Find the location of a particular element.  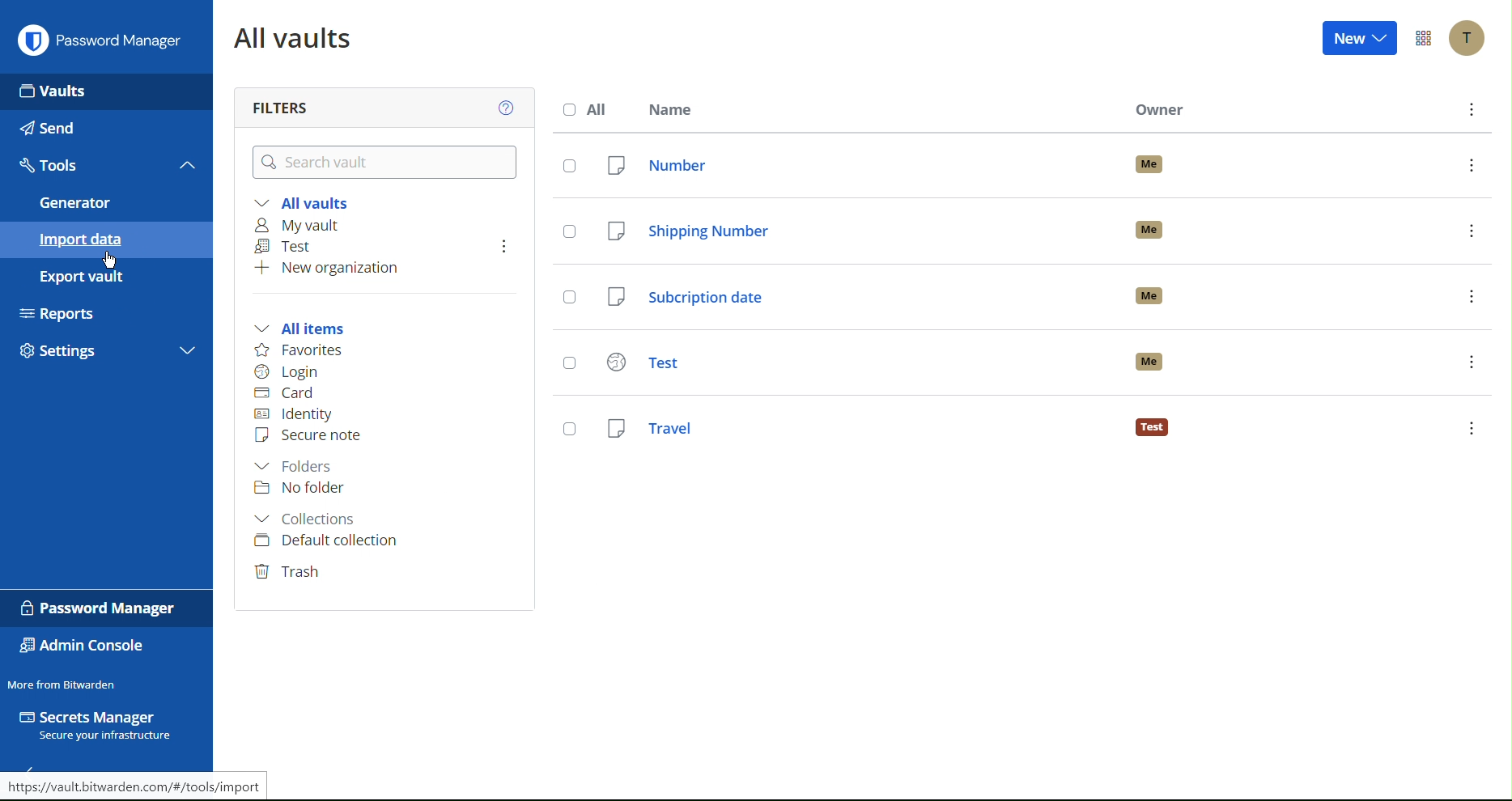

Reports is located at coordinates (104, 311).